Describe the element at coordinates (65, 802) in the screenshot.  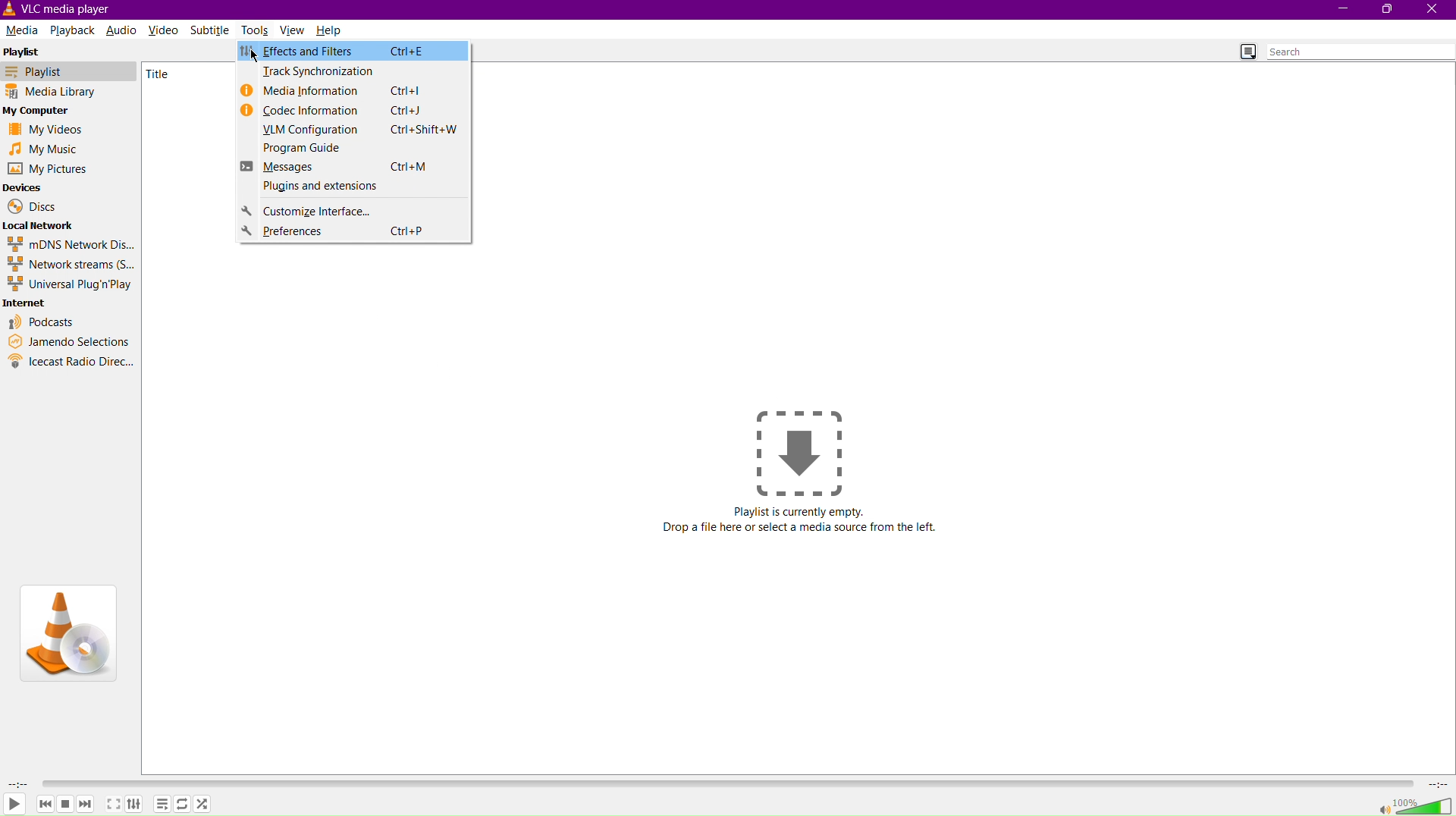
I see `Pause` at that location.